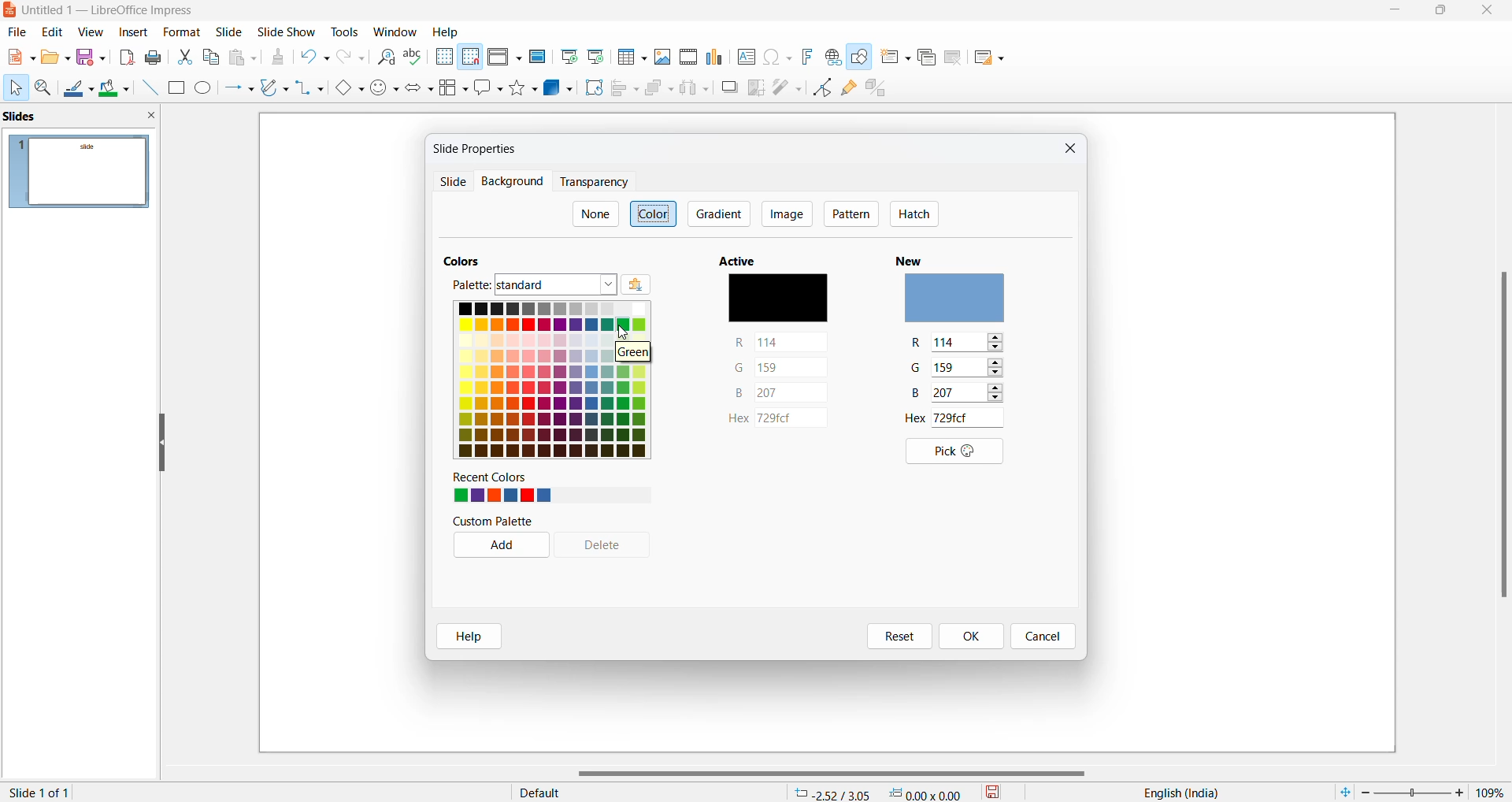  What do you see at coordinates (443, 58) in the screenshot?
I see `display grid` at bounding box center [443, 58].